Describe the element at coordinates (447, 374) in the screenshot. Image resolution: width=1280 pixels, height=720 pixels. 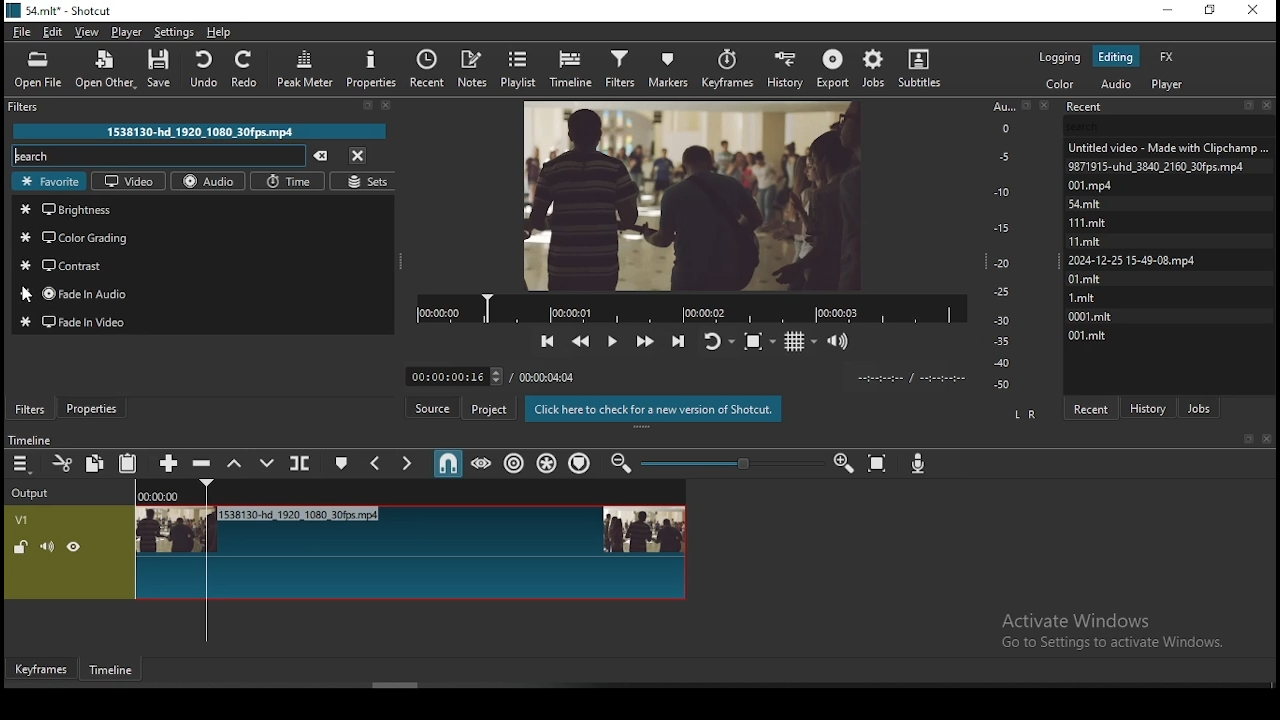
I see `elapsed time` at that location.